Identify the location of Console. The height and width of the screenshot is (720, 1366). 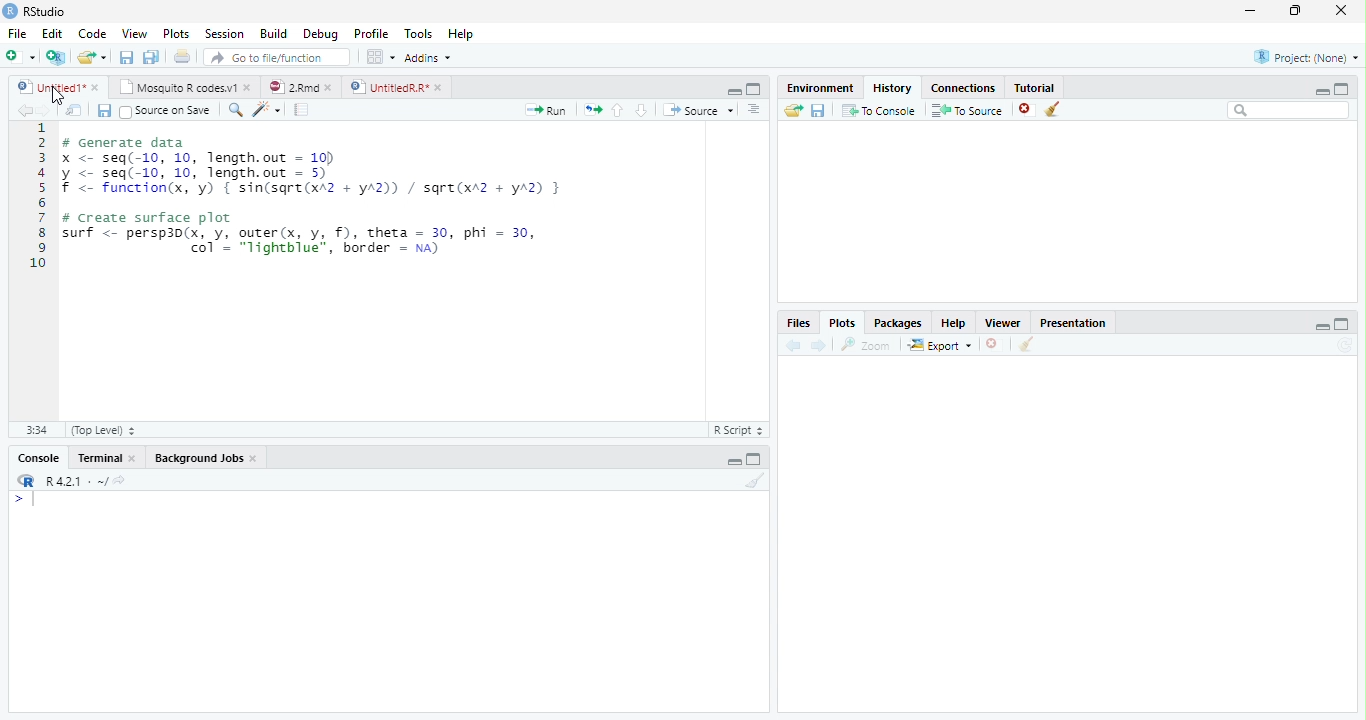
(39, 458).